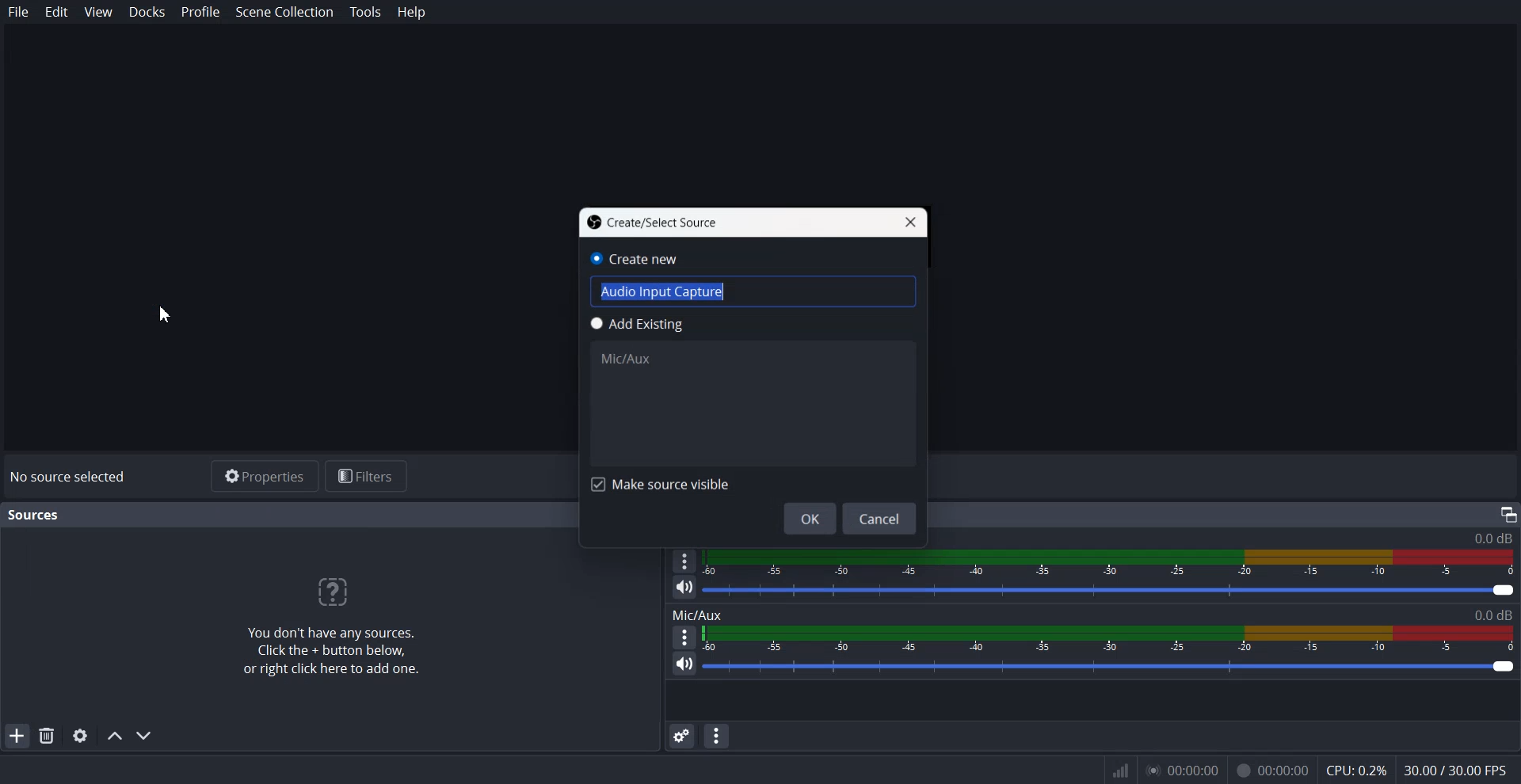  I want to click on Create New, so click(647, 261).